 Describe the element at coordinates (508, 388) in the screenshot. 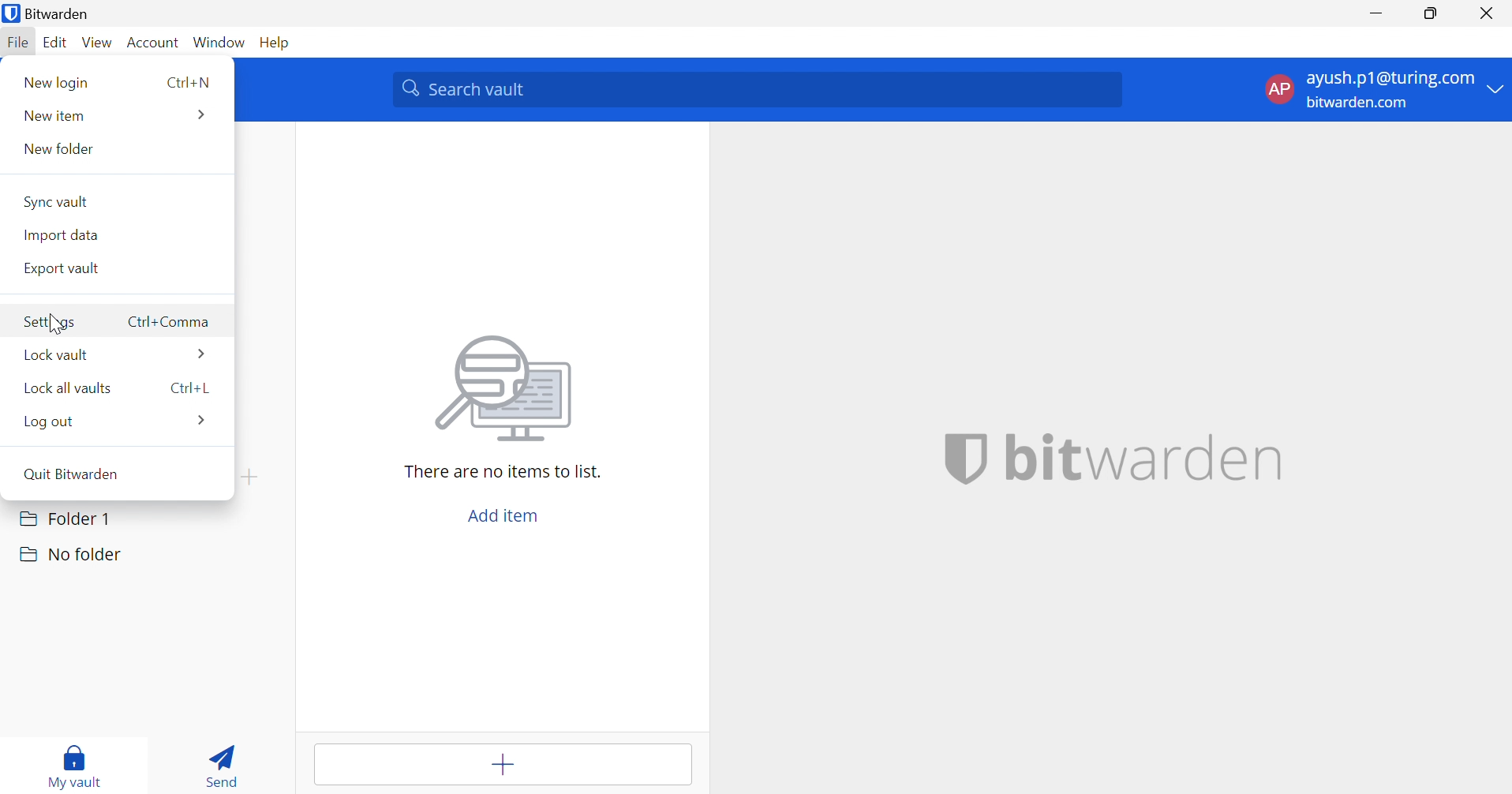

I see `image` at that location.